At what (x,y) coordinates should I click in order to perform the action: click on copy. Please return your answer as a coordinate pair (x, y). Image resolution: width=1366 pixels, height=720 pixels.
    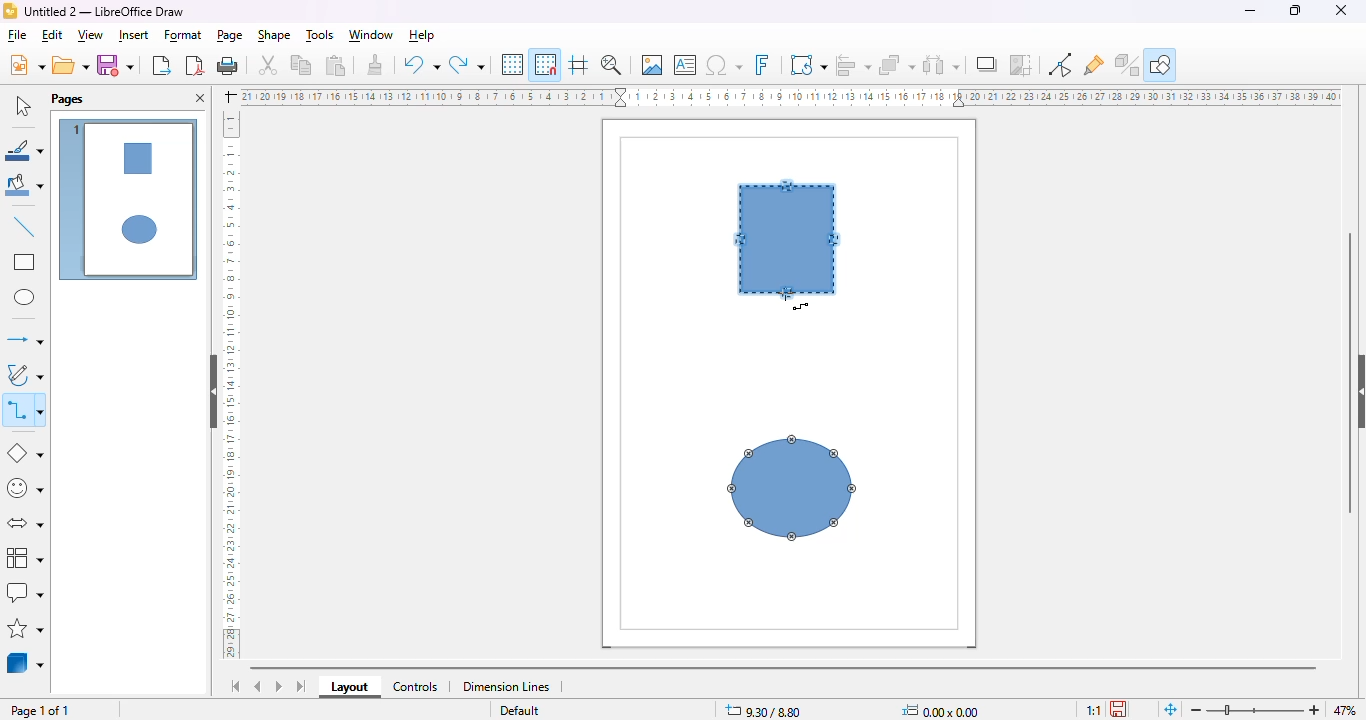
    Looking at the image, I should click on (301, 65).